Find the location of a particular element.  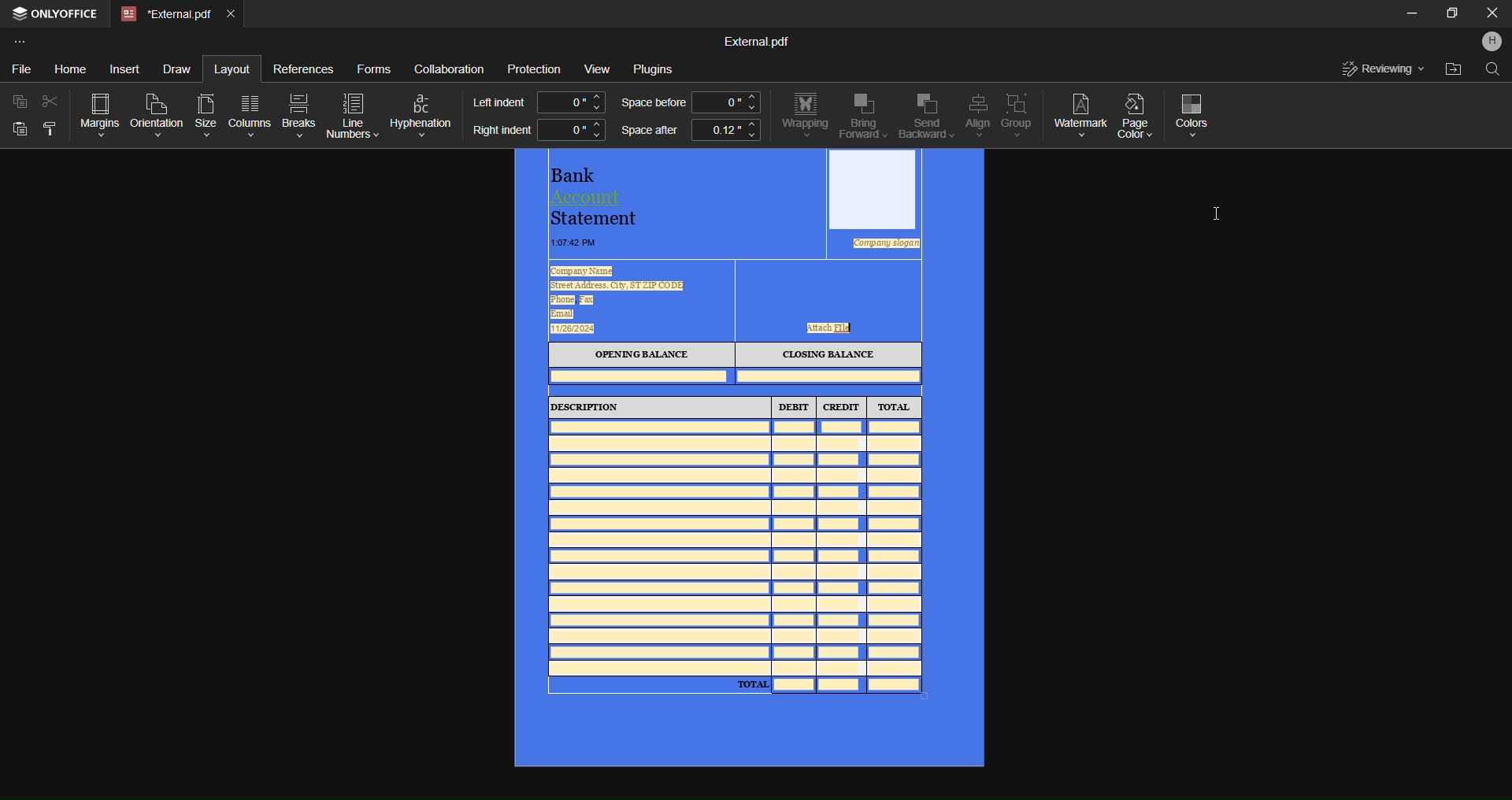

Margins is located at coordinates (94, 113).